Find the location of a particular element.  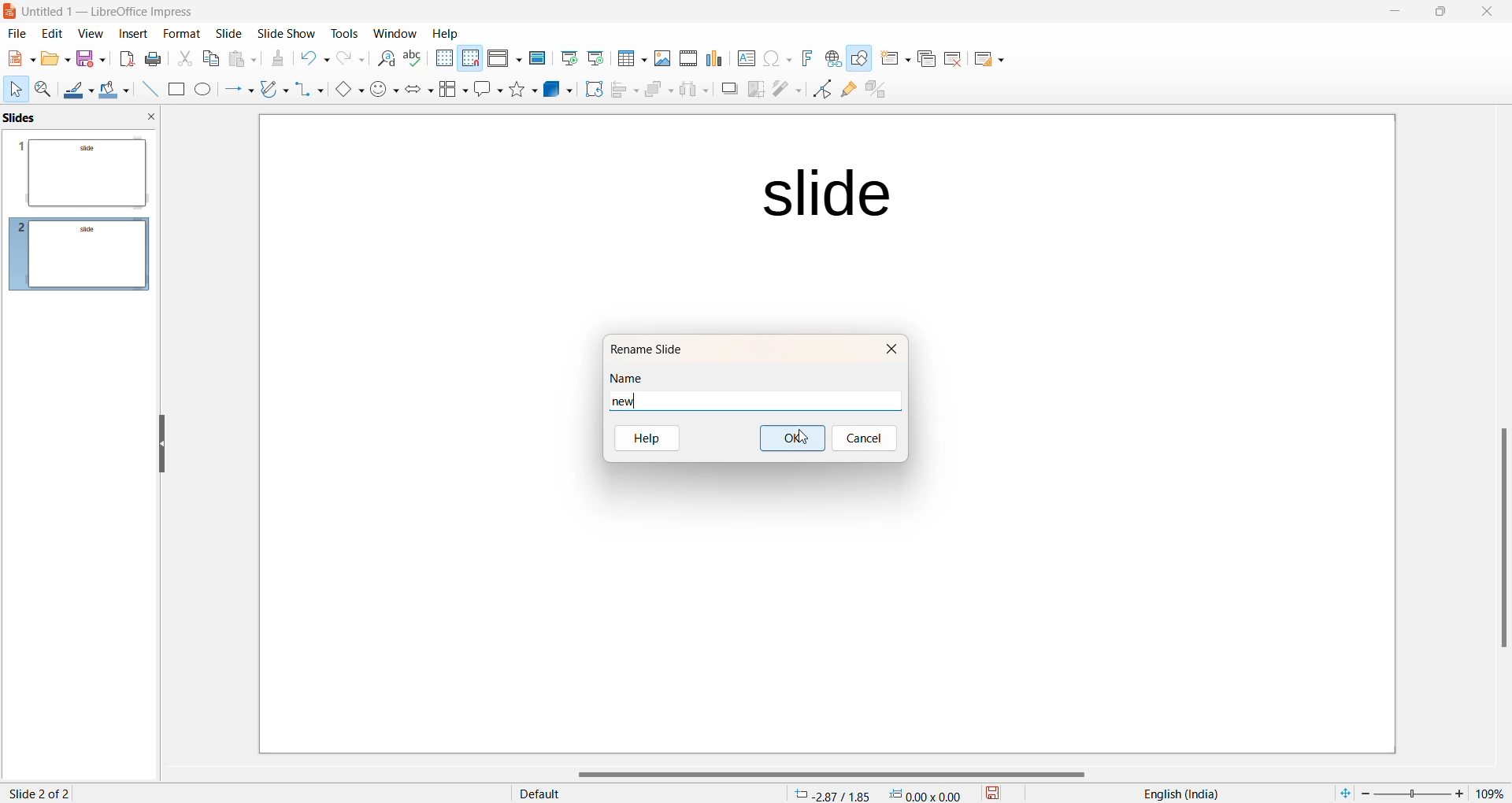

Insert chart is located at coordinates (711, 58).